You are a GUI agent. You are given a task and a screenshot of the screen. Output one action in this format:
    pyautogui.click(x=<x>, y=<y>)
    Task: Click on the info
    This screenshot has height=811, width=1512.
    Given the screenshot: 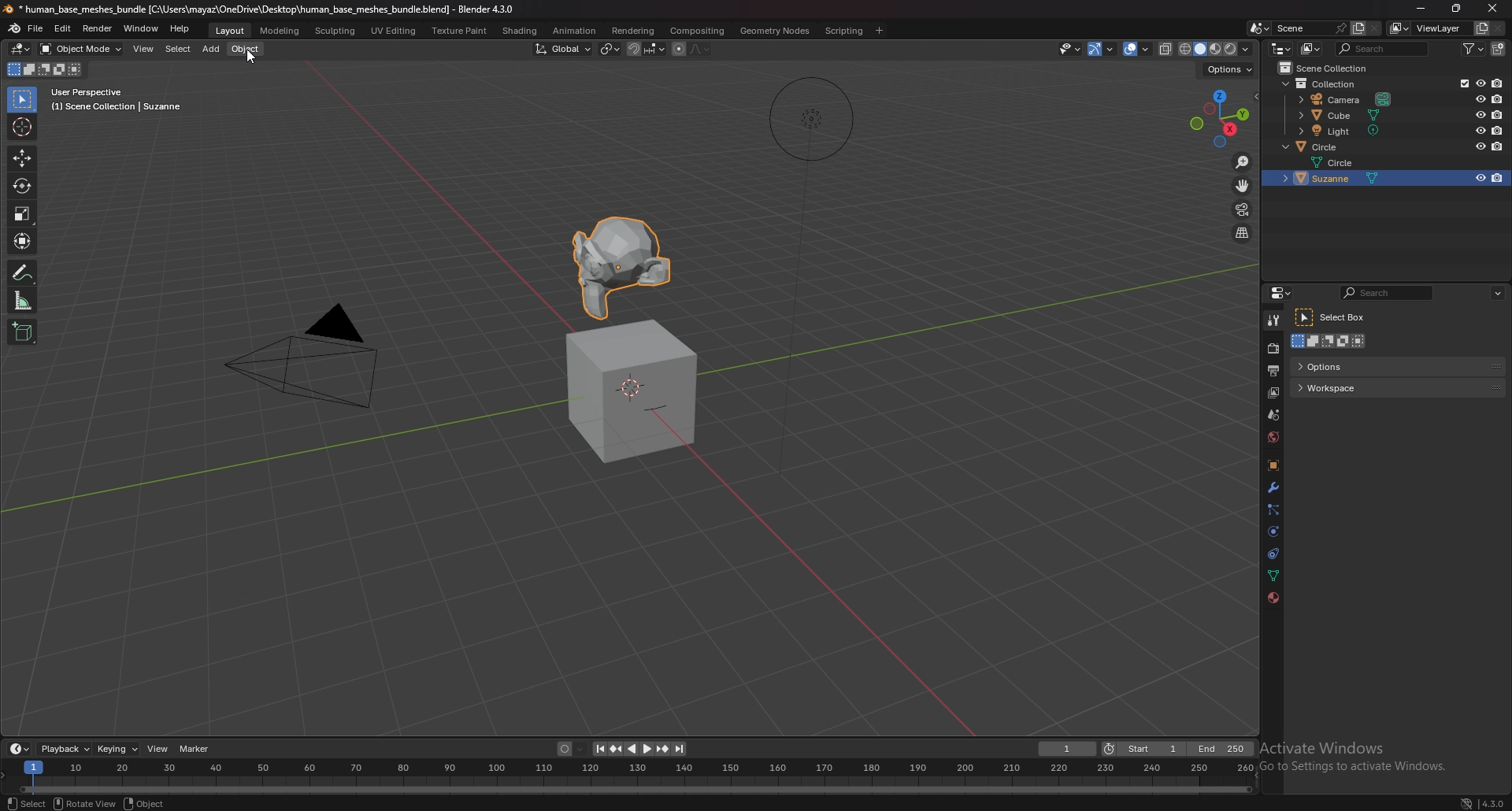 What is the action you would take?
    pyautogui.click(x=117, y=100)
    